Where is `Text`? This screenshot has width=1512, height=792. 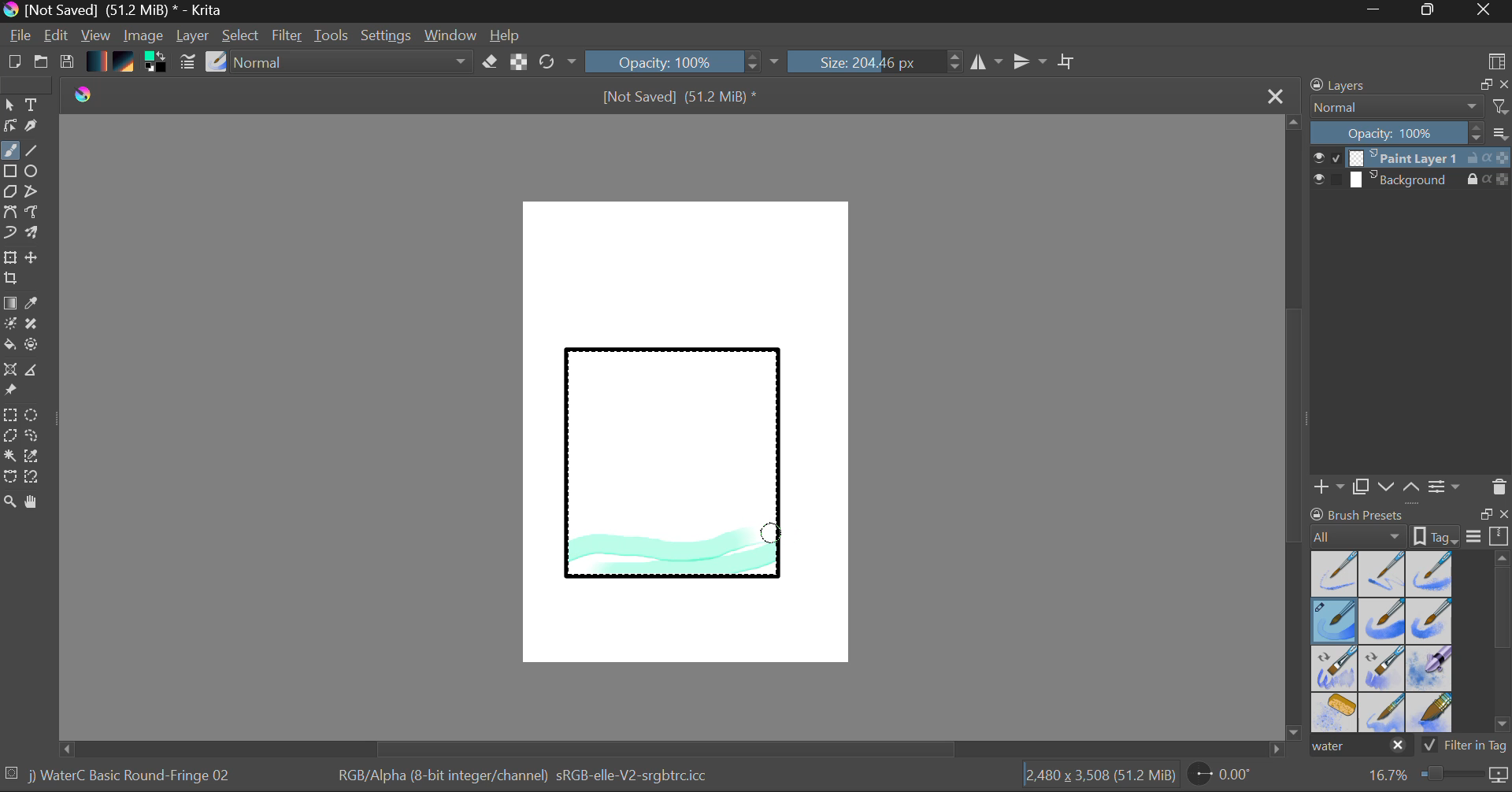
Text is located at coordinates (32, 103).